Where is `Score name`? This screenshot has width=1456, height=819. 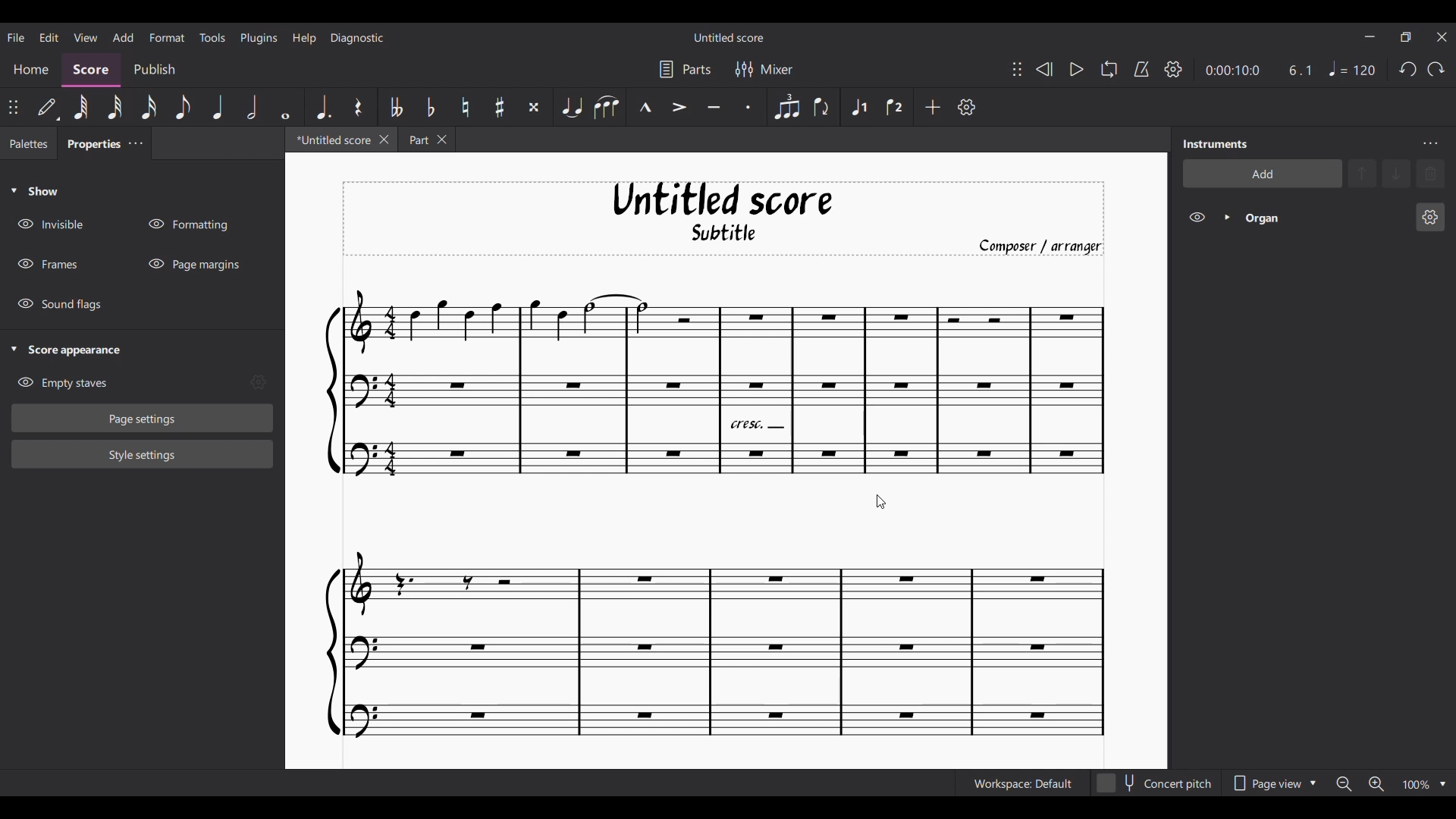 Score name is located at coordinates (730, 37).